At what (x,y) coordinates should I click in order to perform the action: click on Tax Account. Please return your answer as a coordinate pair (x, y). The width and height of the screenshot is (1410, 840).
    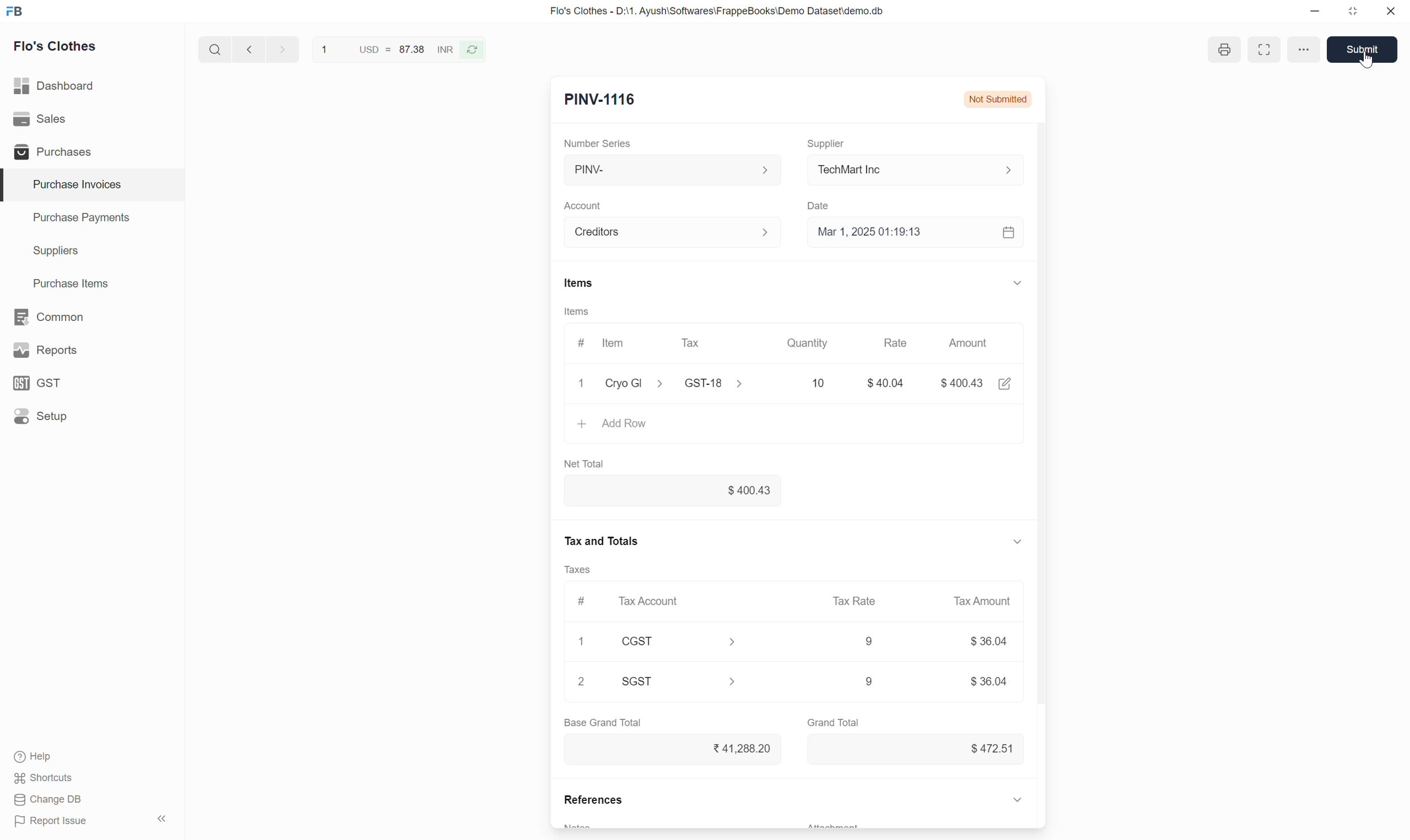
    Looking at the image, I should click on (652, 600).